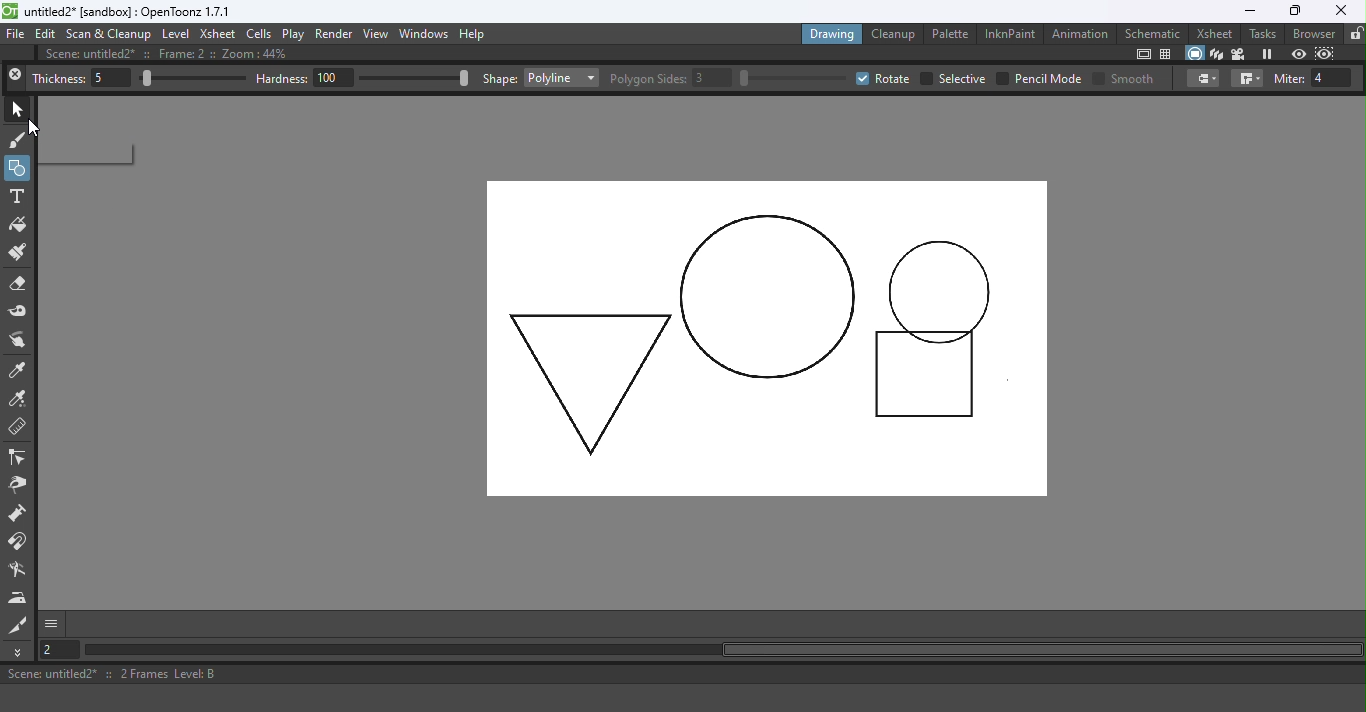 The width and height of the screenshot is (1366, 712). What do you see at coordinates (20, 253) in the screenshot?
I see `Paintbrush tool` at bounding box center [20, 253].